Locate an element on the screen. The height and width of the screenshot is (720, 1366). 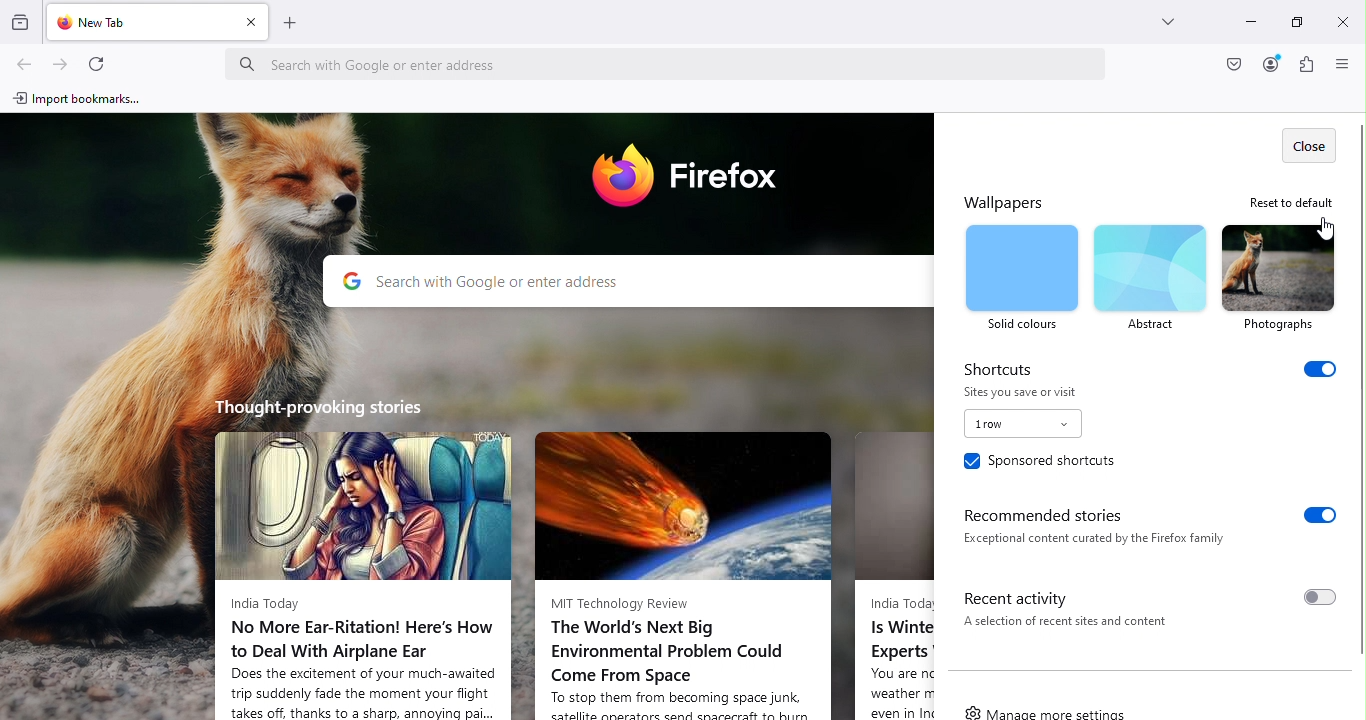
Close is located at coordinates (1308, 145).